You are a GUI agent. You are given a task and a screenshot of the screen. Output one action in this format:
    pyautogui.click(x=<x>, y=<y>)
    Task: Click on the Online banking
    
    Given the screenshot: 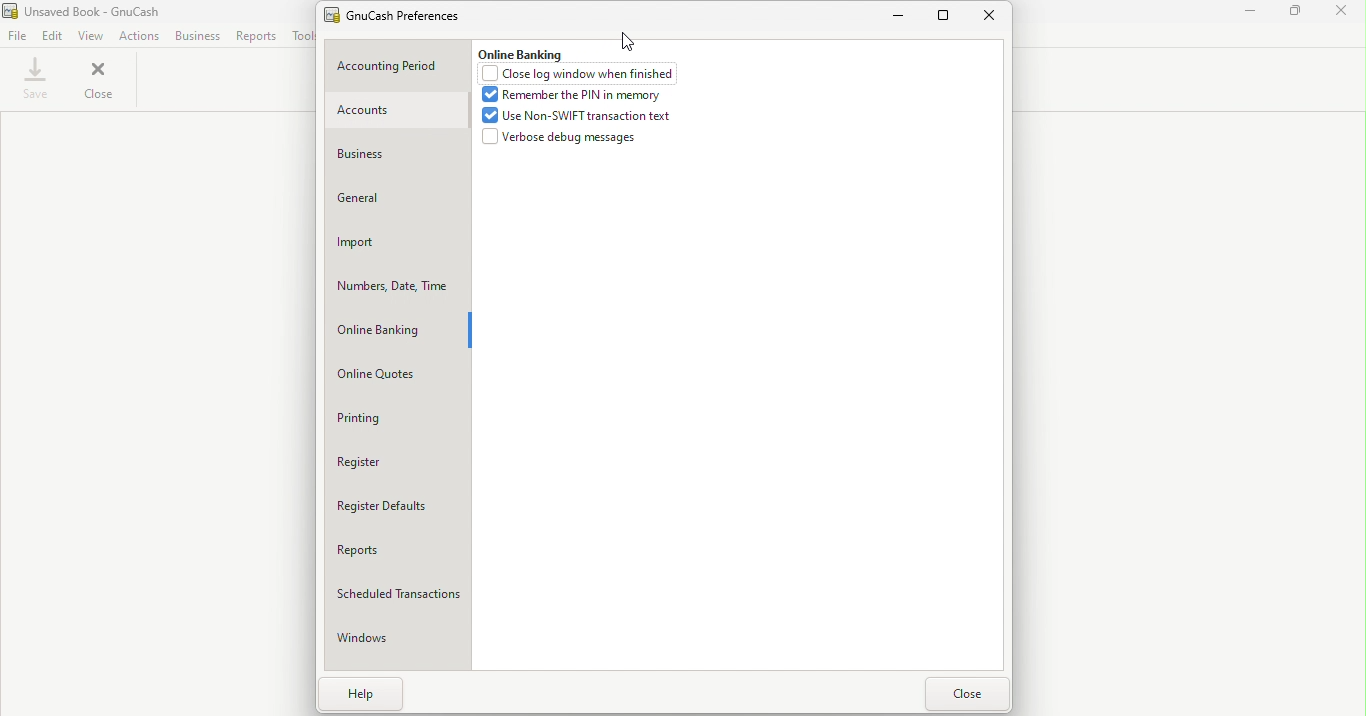 What is the action you would take?
    pyautogui.click(x=519, y=52)
    